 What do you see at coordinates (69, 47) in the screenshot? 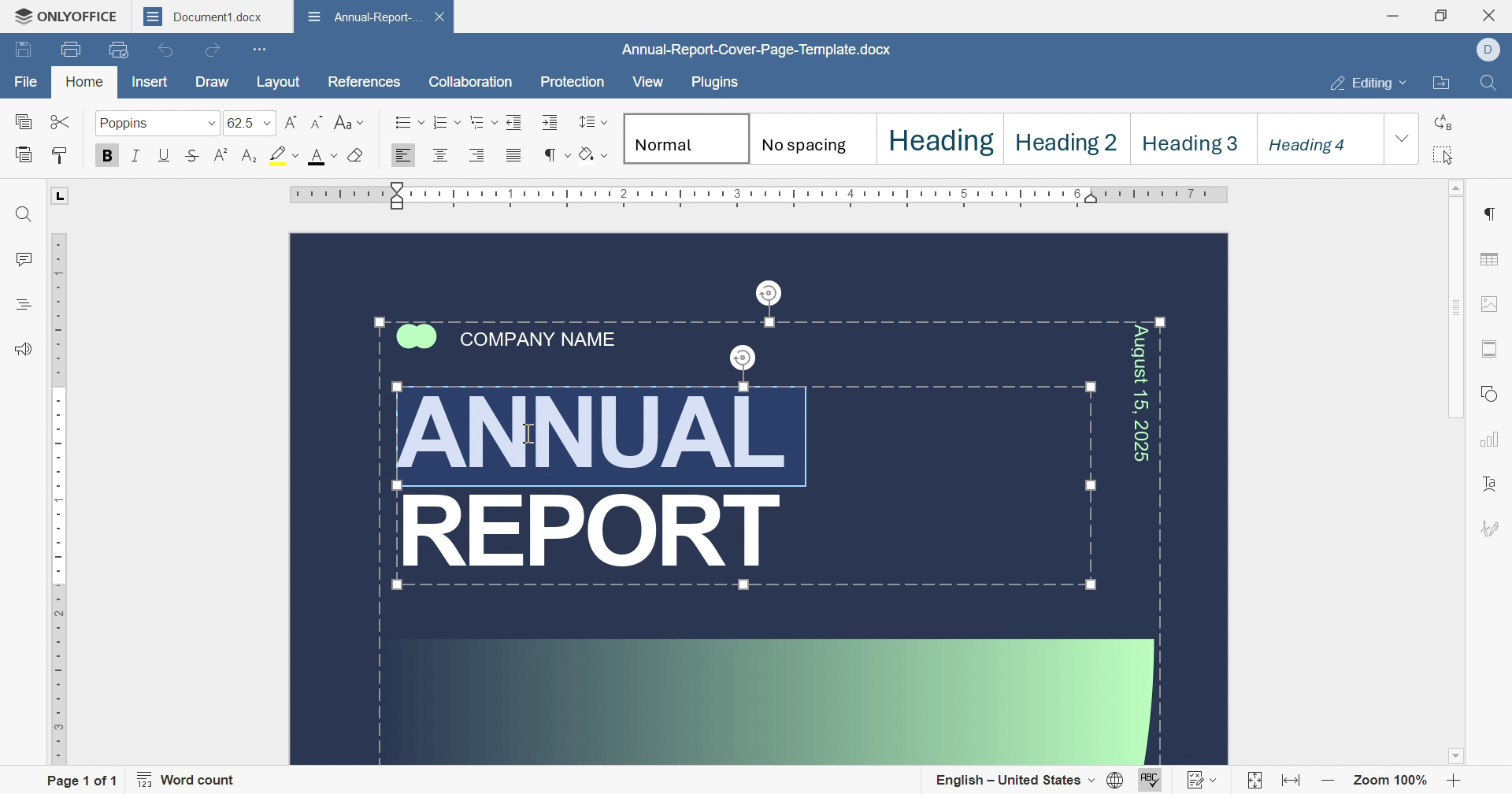
I see `print` at bounding box center [69, 47].